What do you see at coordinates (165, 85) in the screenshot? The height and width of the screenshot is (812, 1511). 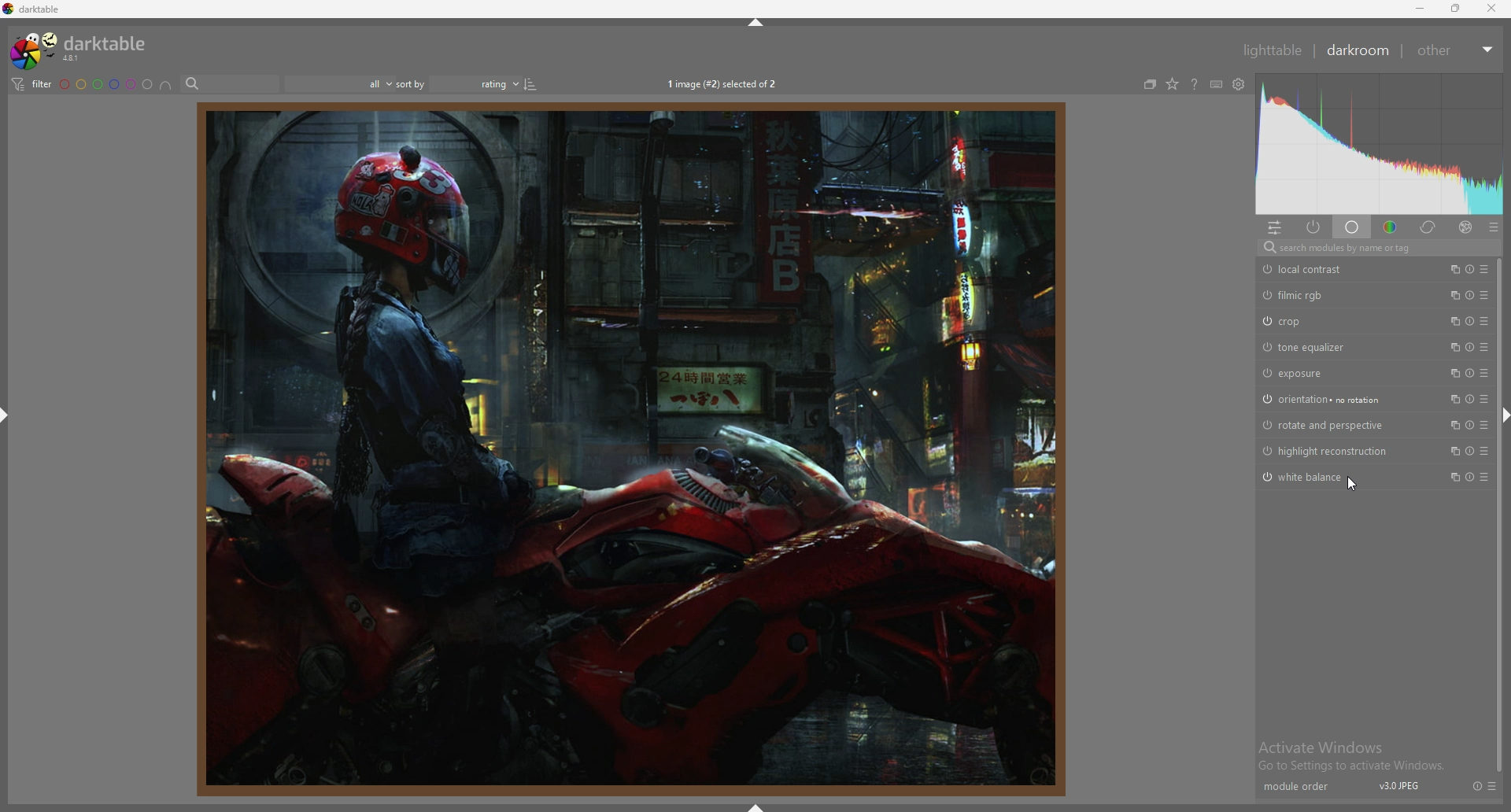 I see `including color label` at bounding box center [165, 85].